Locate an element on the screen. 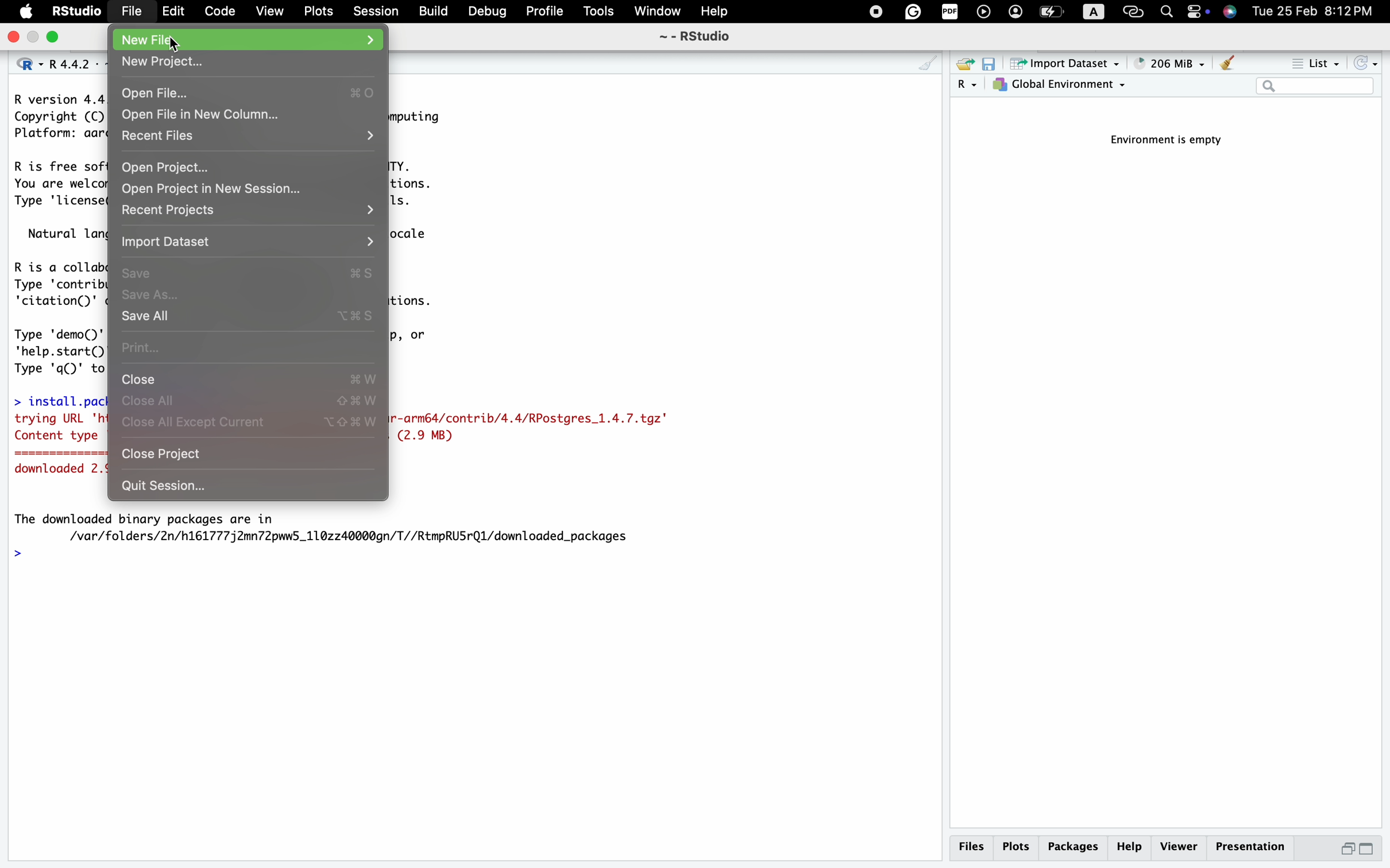  edit is located at coordinates (173, 13).